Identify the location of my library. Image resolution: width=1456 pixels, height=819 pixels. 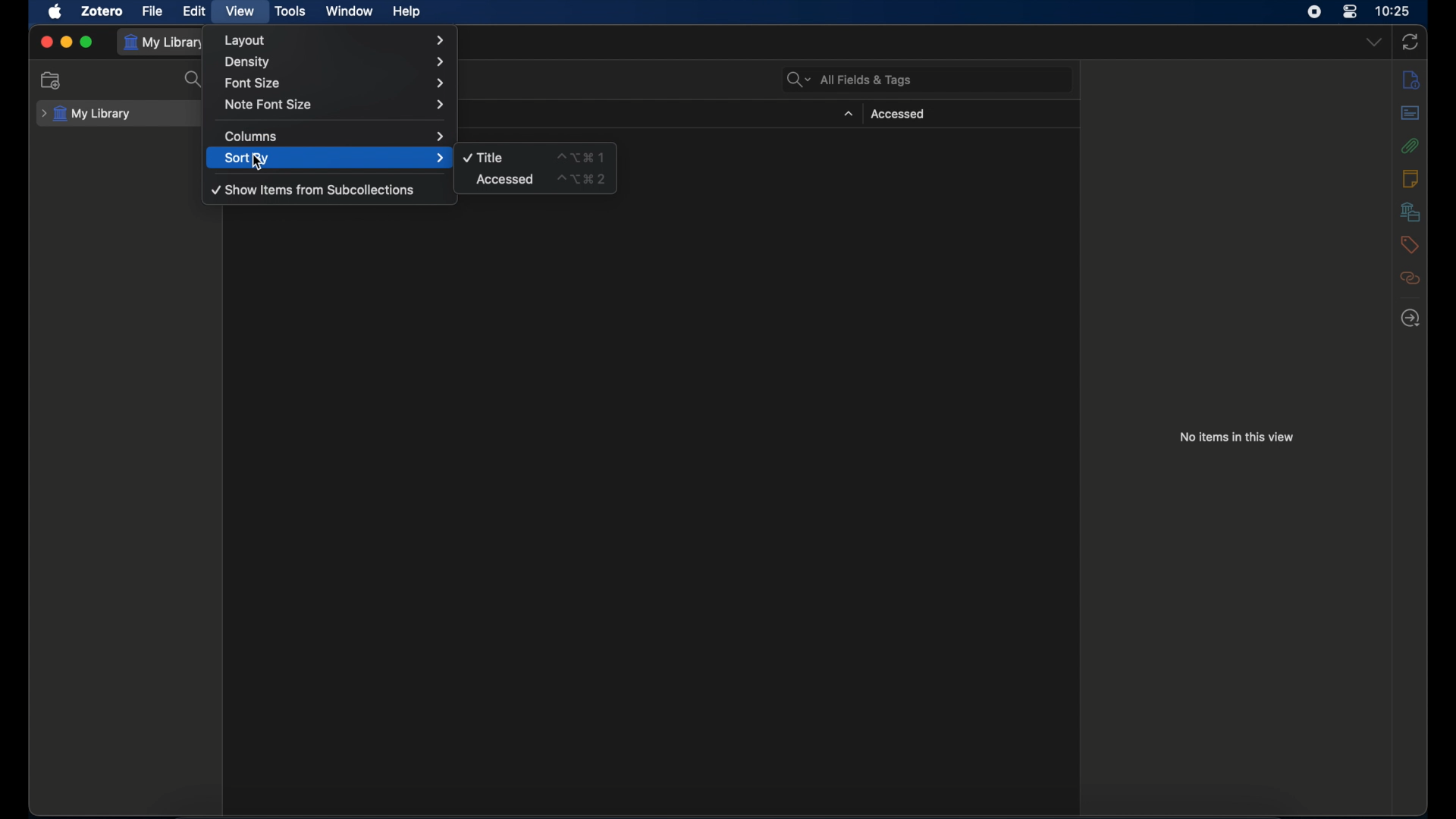
(165, 42).